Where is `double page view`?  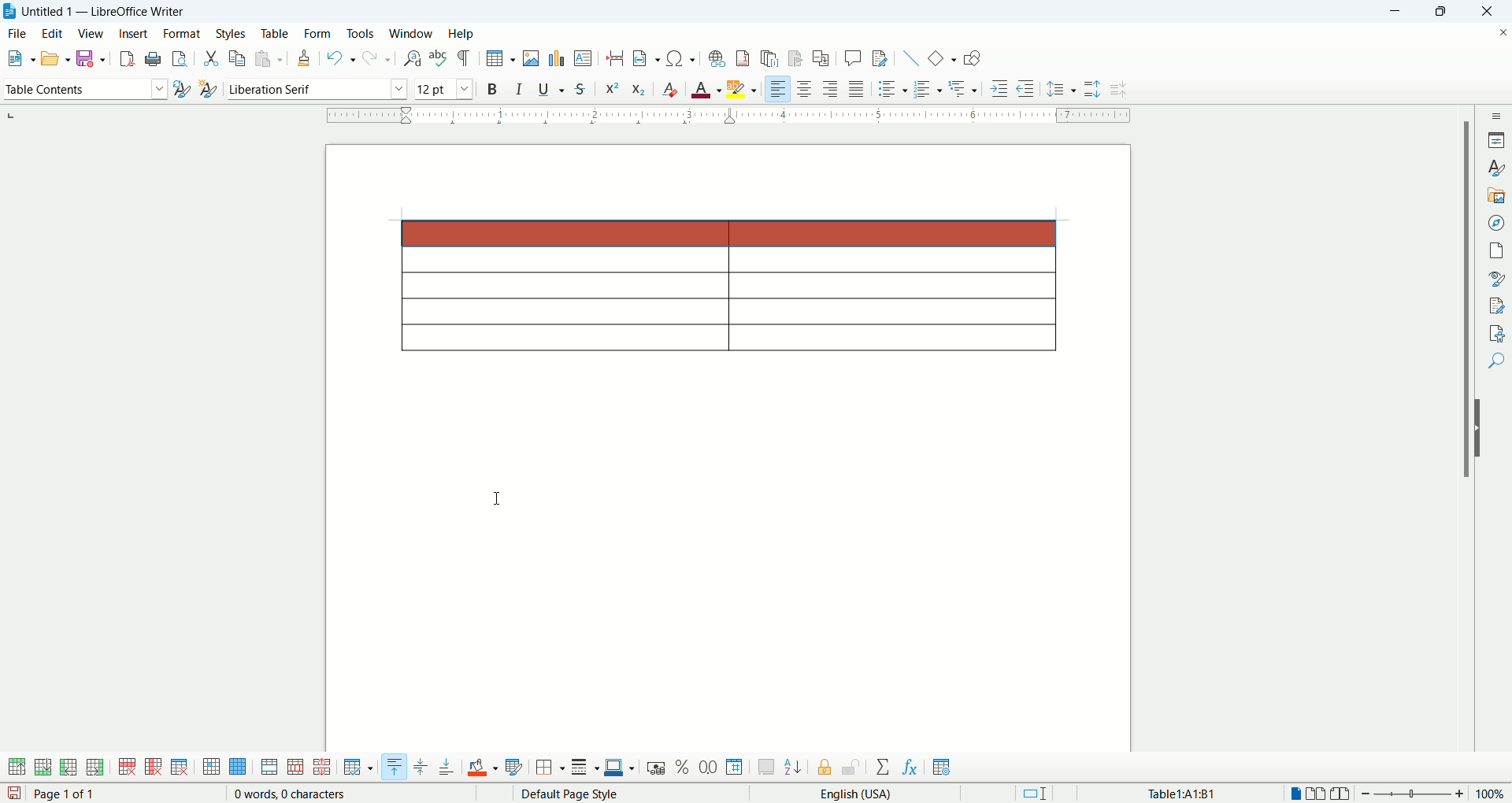
double page view is located at coordinates (1319, 794).